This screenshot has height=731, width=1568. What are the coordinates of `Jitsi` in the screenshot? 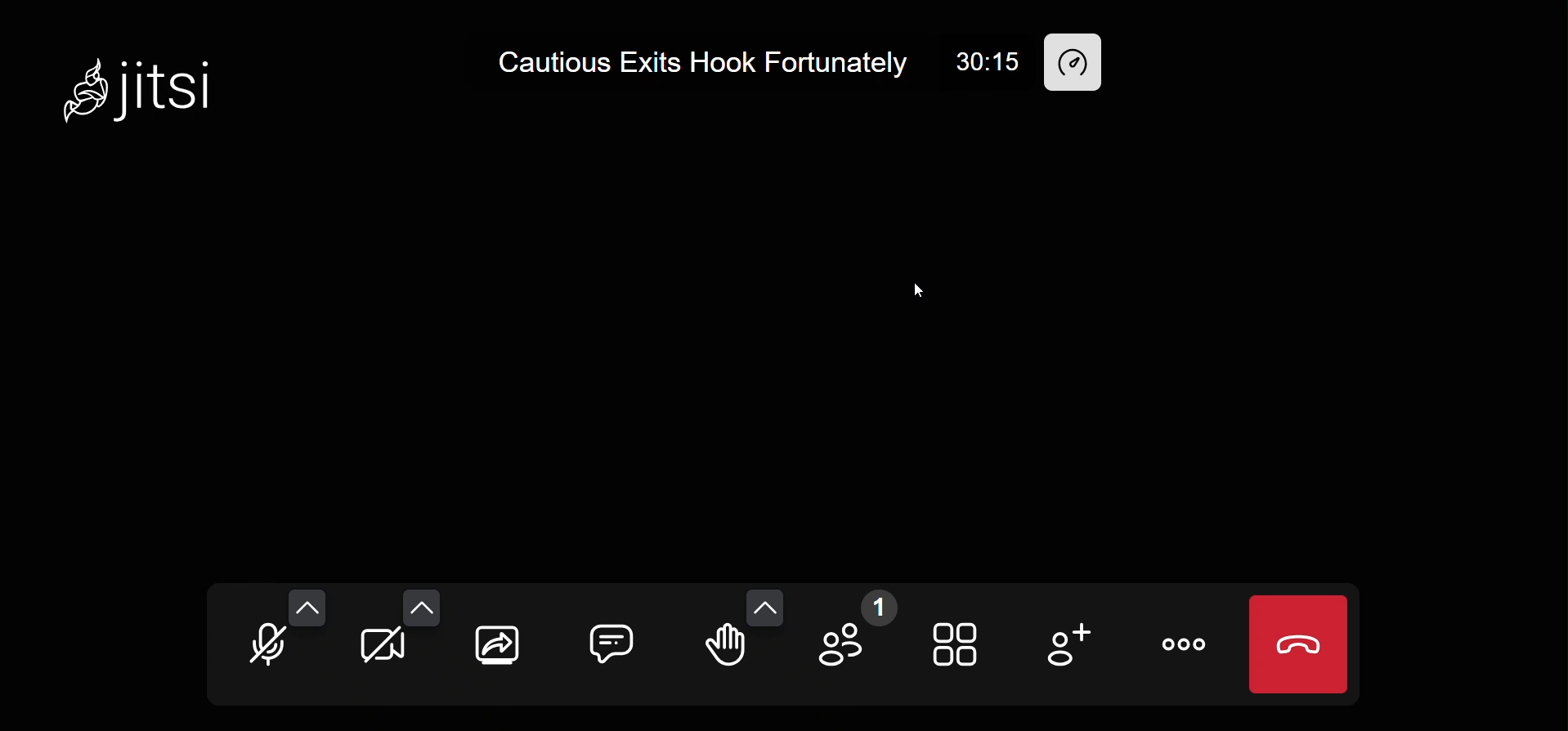 It's located at (144, 84).